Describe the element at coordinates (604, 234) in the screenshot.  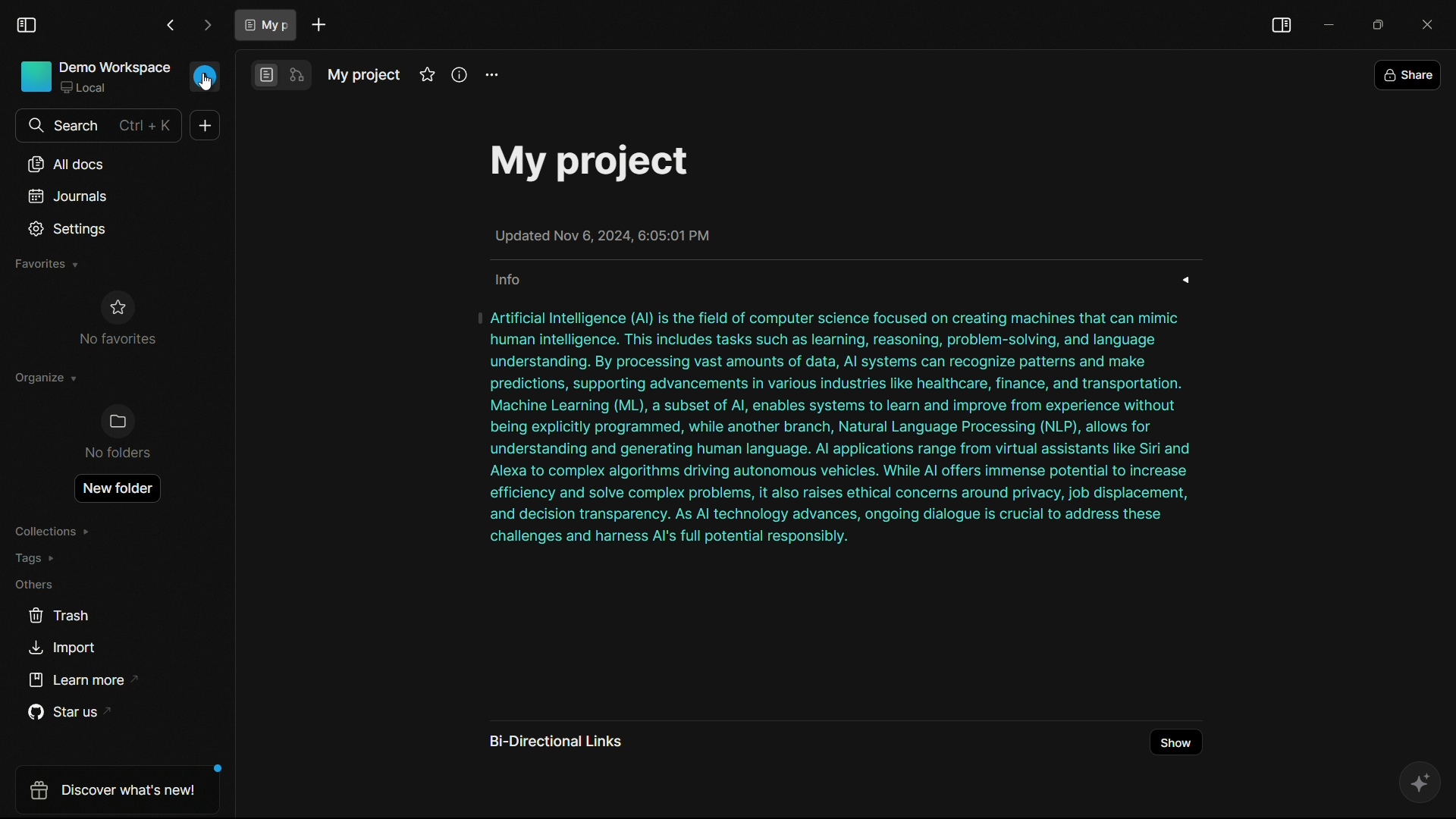
I see `Updated Nov 6, 2024, 6:05:01 PM` at that location.